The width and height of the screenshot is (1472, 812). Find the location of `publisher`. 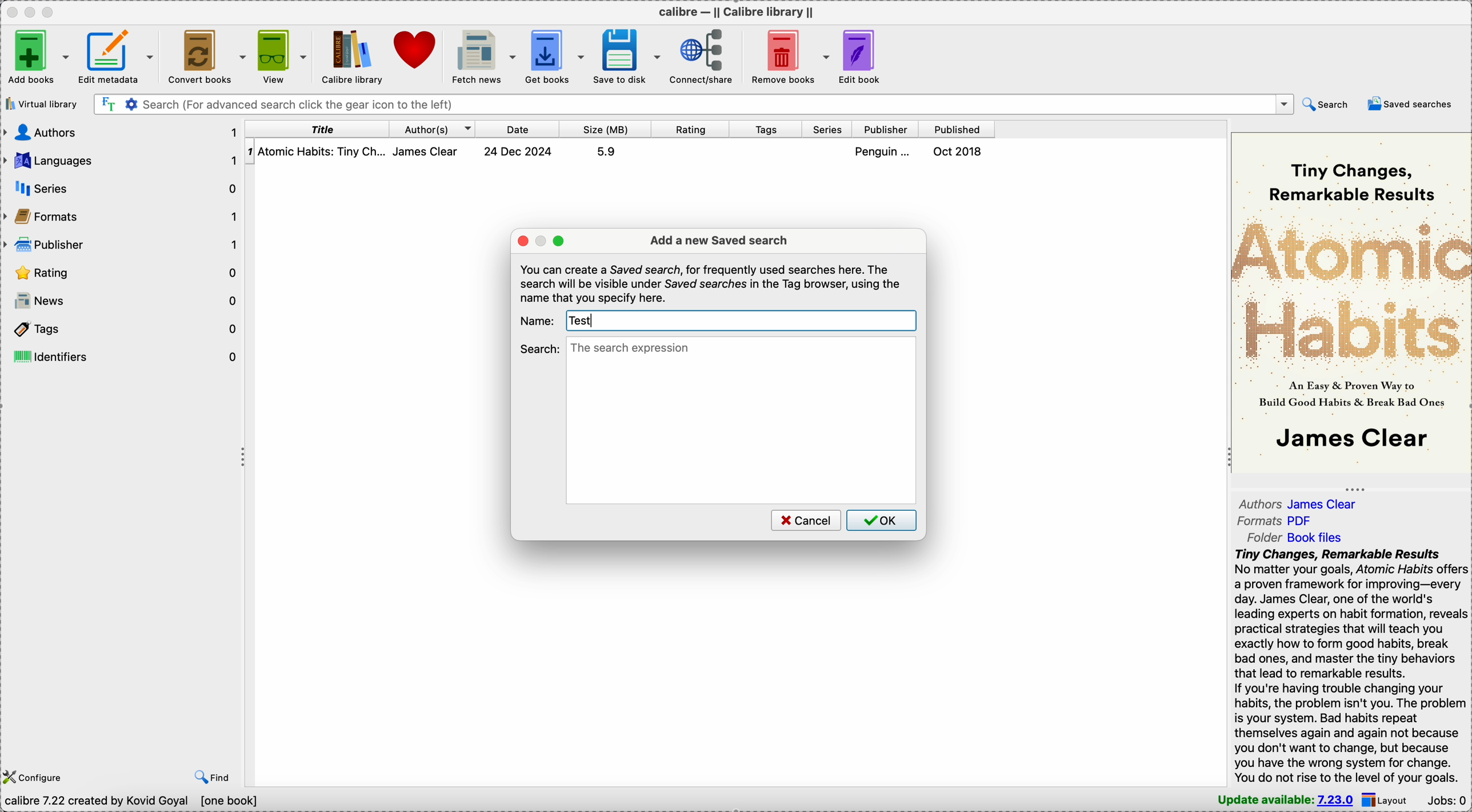

publisher is located at coordinates (887, 130).